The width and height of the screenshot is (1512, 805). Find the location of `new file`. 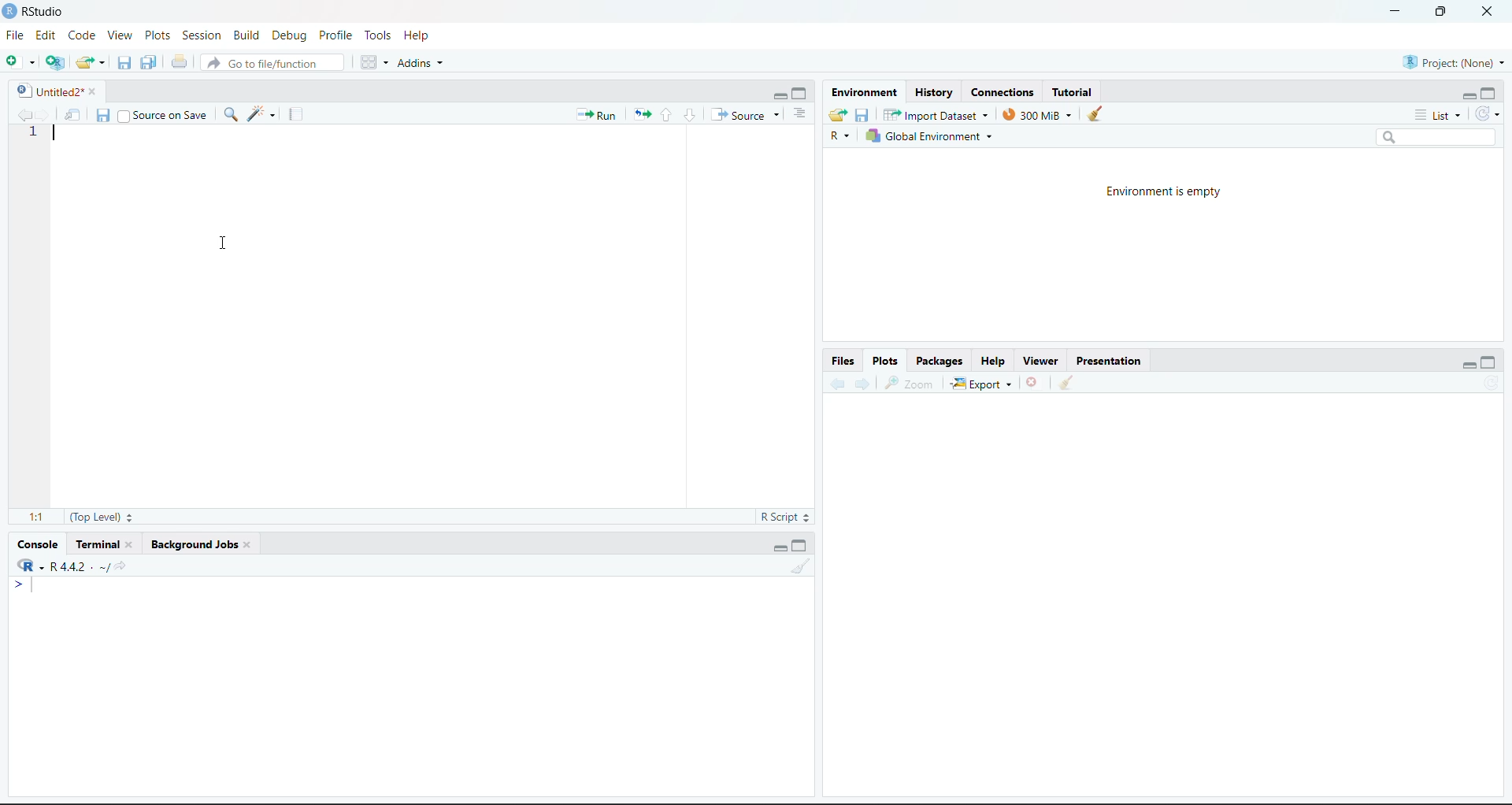

new file is located at coordinates (20, 63).